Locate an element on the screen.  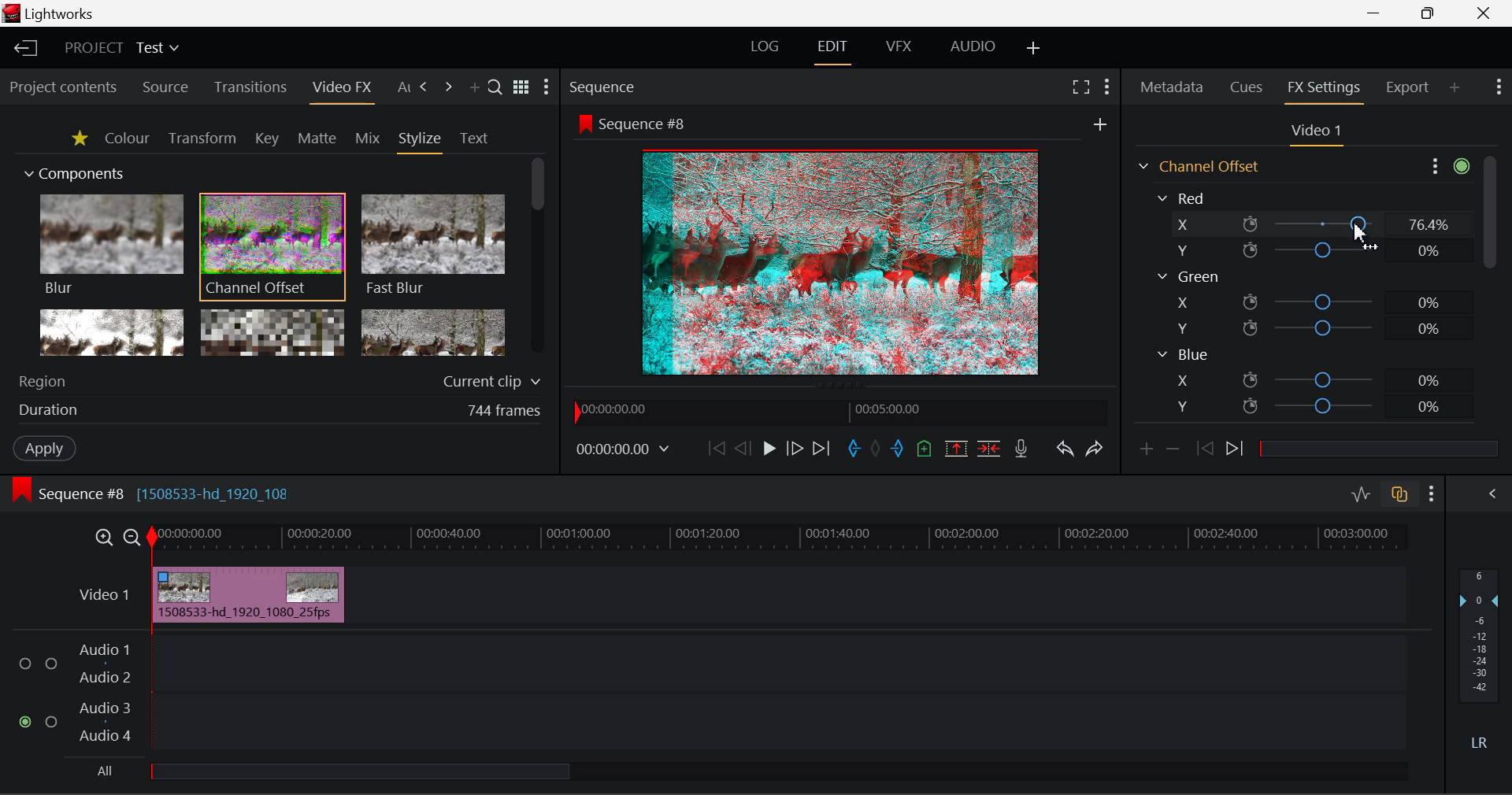
Blue is located at coordinates (1183, 355).